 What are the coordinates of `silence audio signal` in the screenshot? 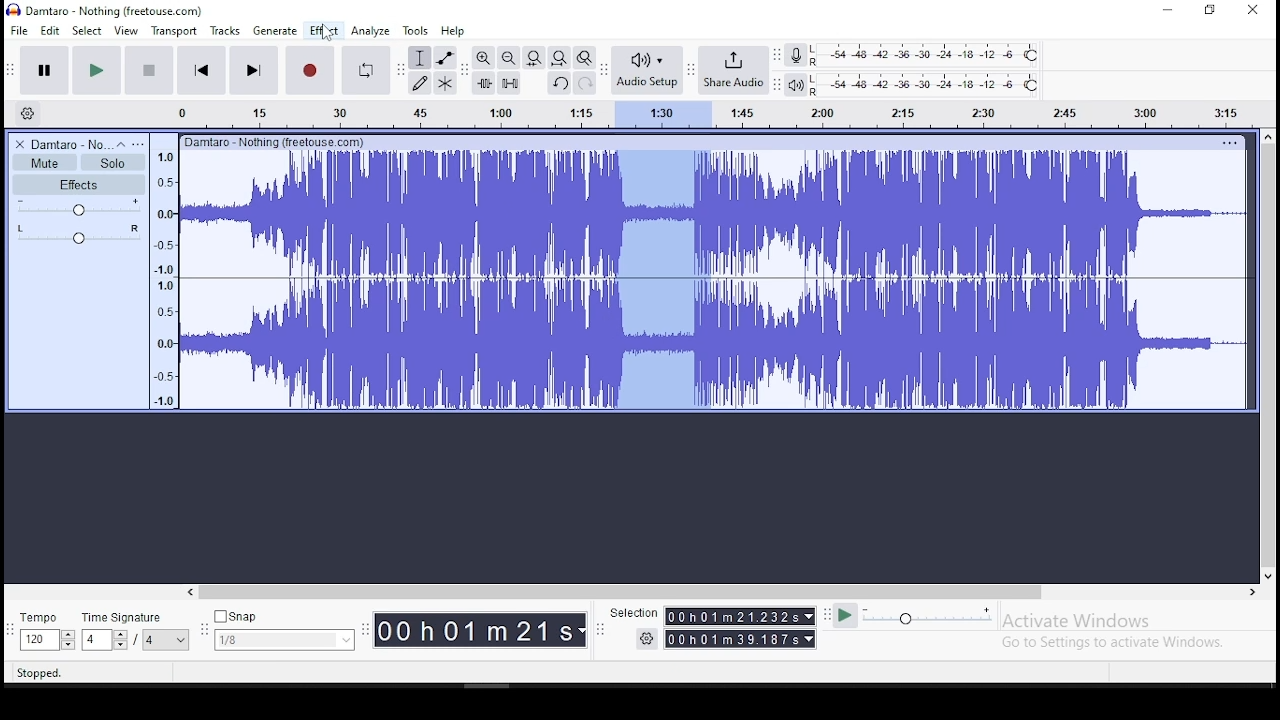 It's located at (510, 83).